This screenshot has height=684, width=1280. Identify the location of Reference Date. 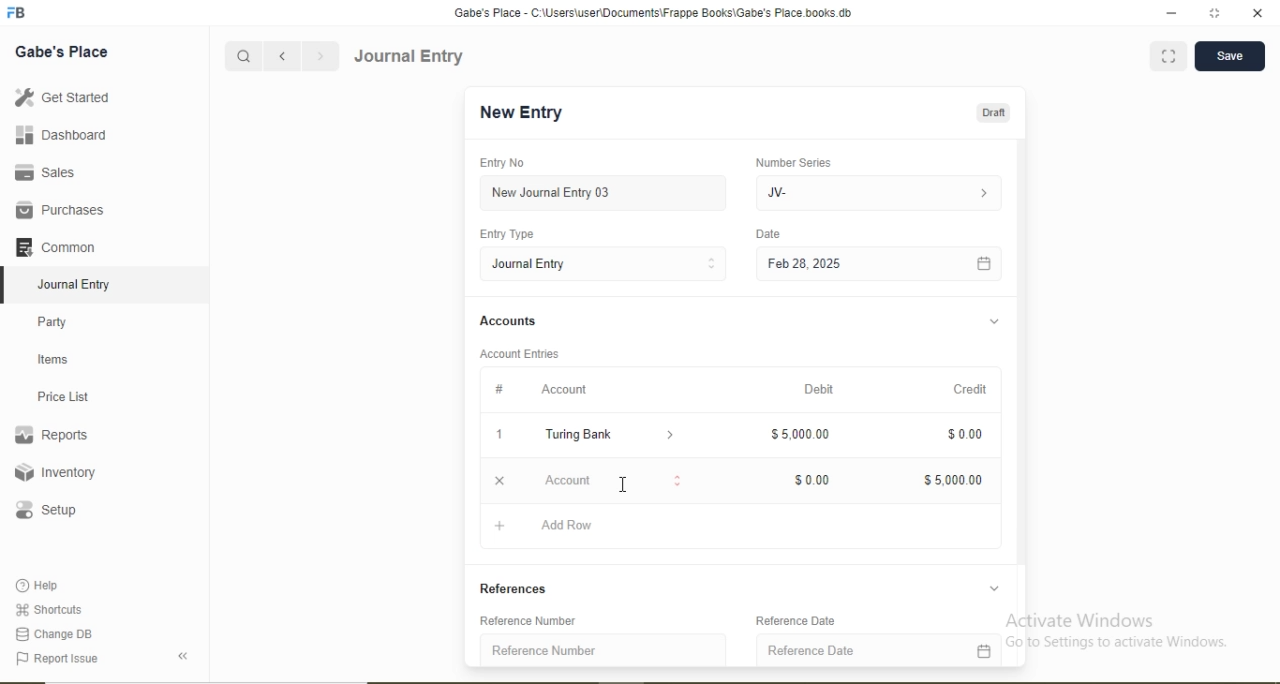
(795, 621).